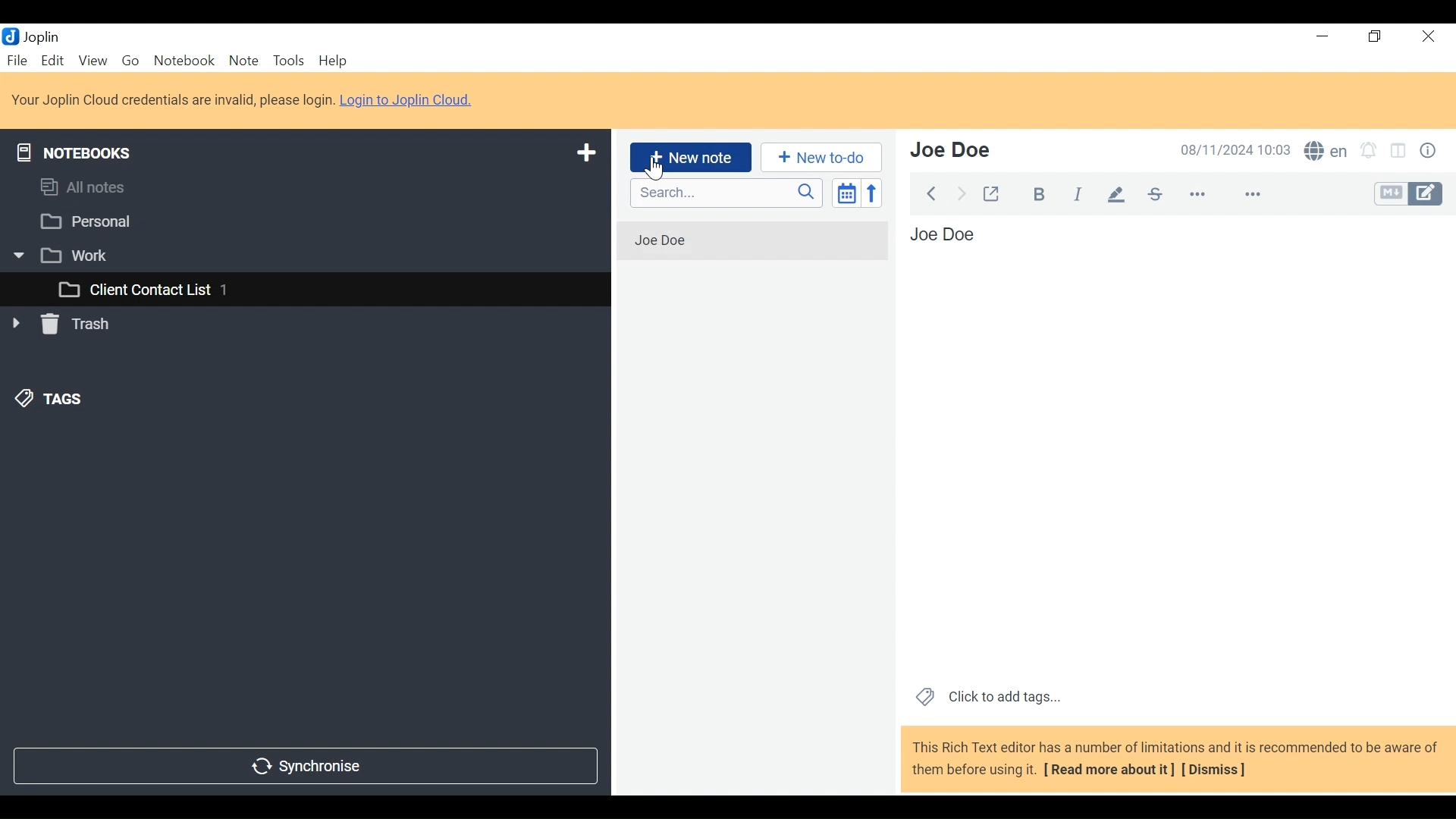 This screenshot has width=1456, height=819. I want to click on All Notes, so click(304, 190).